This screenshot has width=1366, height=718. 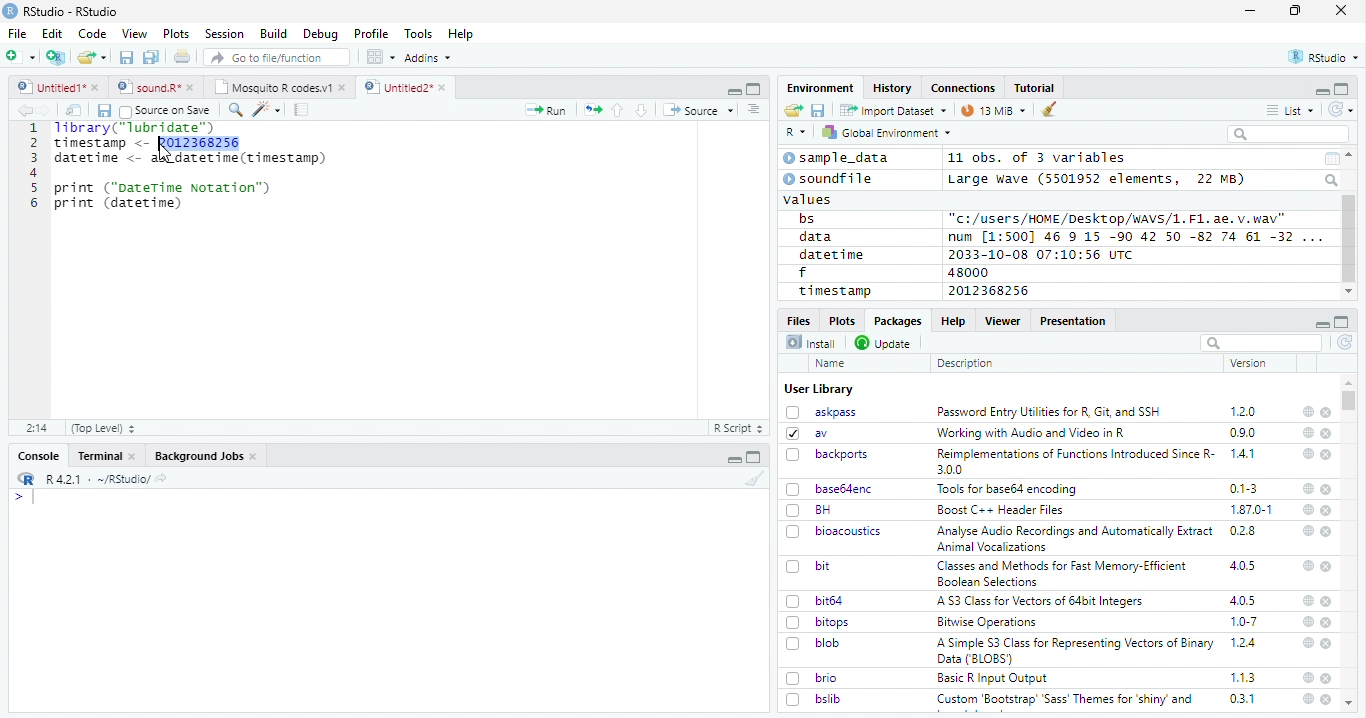 I want to click on BH, so click(x=811, y=510).